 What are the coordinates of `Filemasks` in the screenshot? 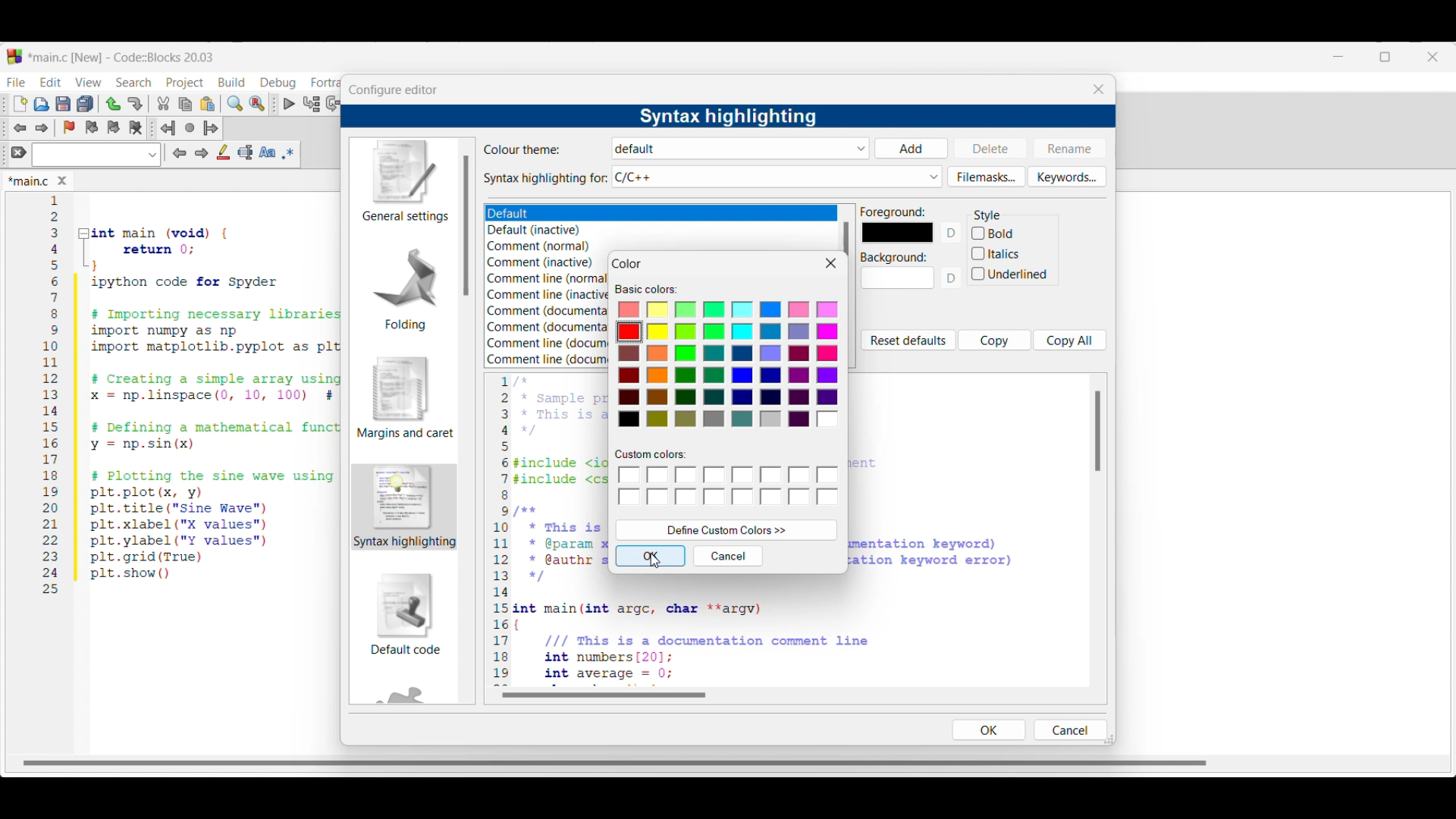 It's located at (987, 177).